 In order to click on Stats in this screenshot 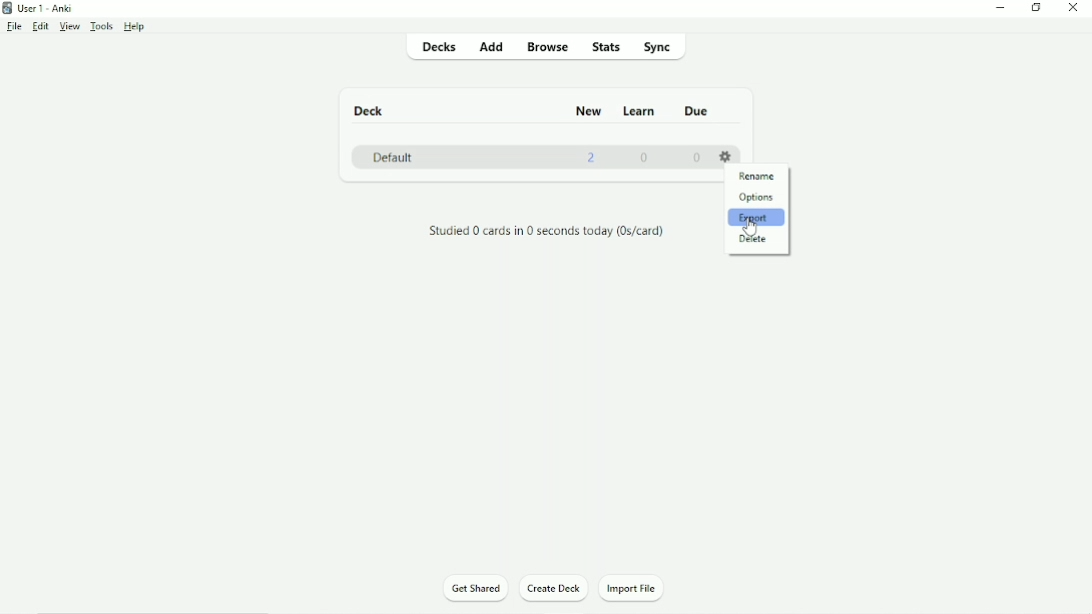, I will do `click(604, 47)`.